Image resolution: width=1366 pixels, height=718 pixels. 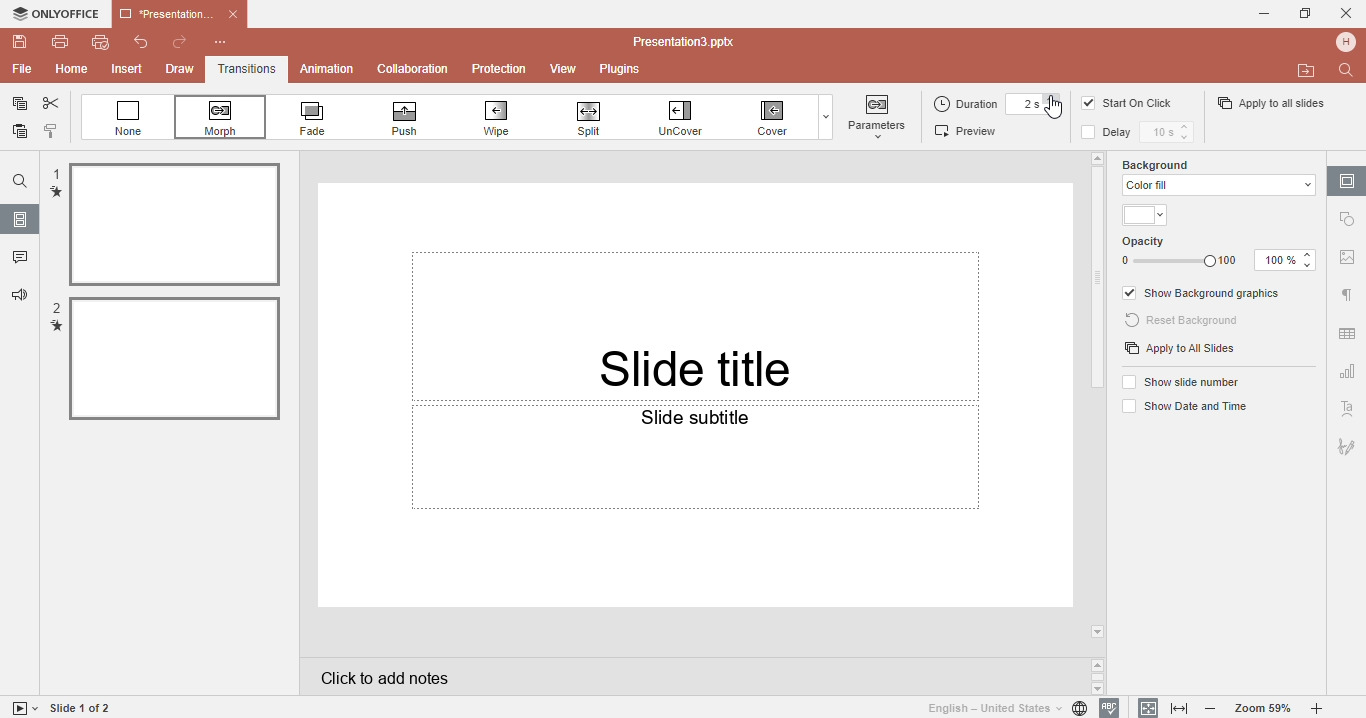 What do you see at coordinates (129, 118) in the screenshot?
I see `None` at bounding box center [129, 118].